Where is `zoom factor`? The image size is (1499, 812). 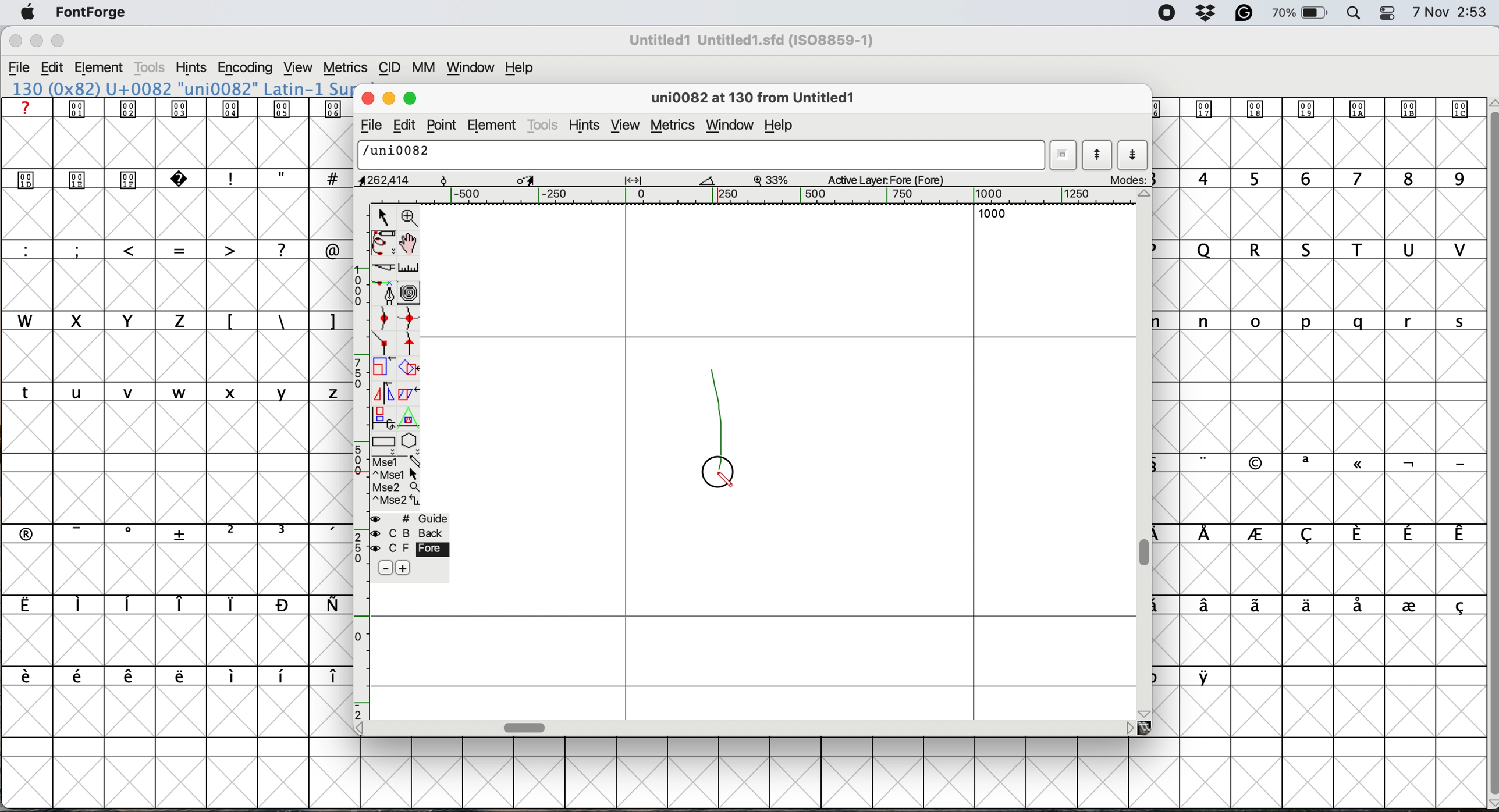 zoom factor is located at coordinates (773, 179).